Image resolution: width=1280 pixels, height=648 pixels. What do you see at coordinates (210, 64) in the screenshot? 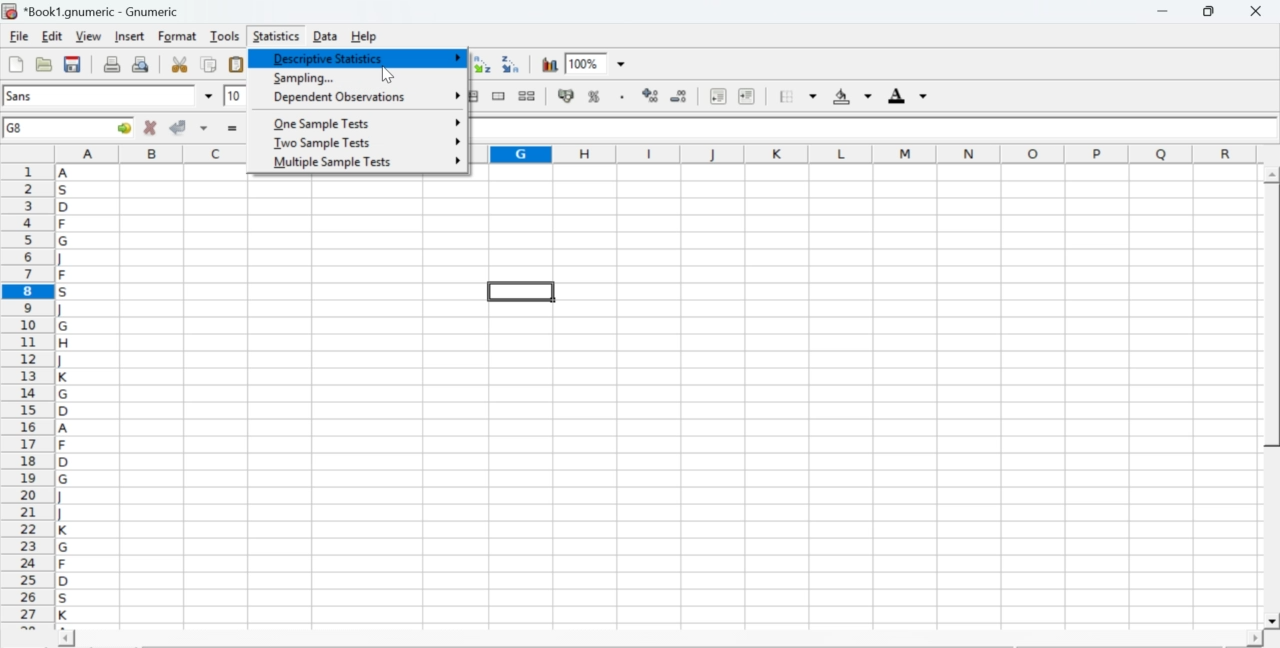
I see `copy` at bounding box center [210, 64].